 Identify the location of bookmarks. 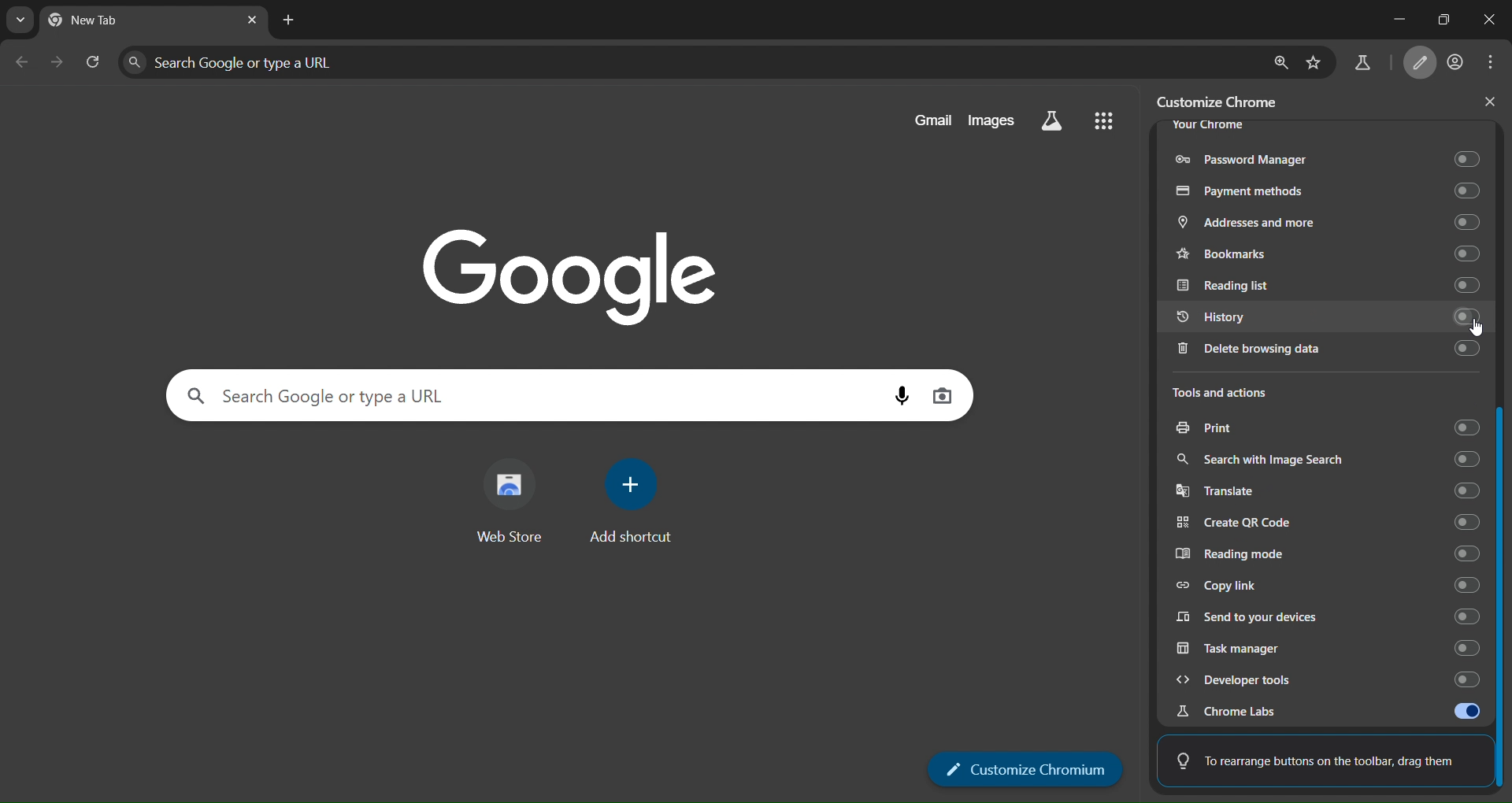
(1329, 253).